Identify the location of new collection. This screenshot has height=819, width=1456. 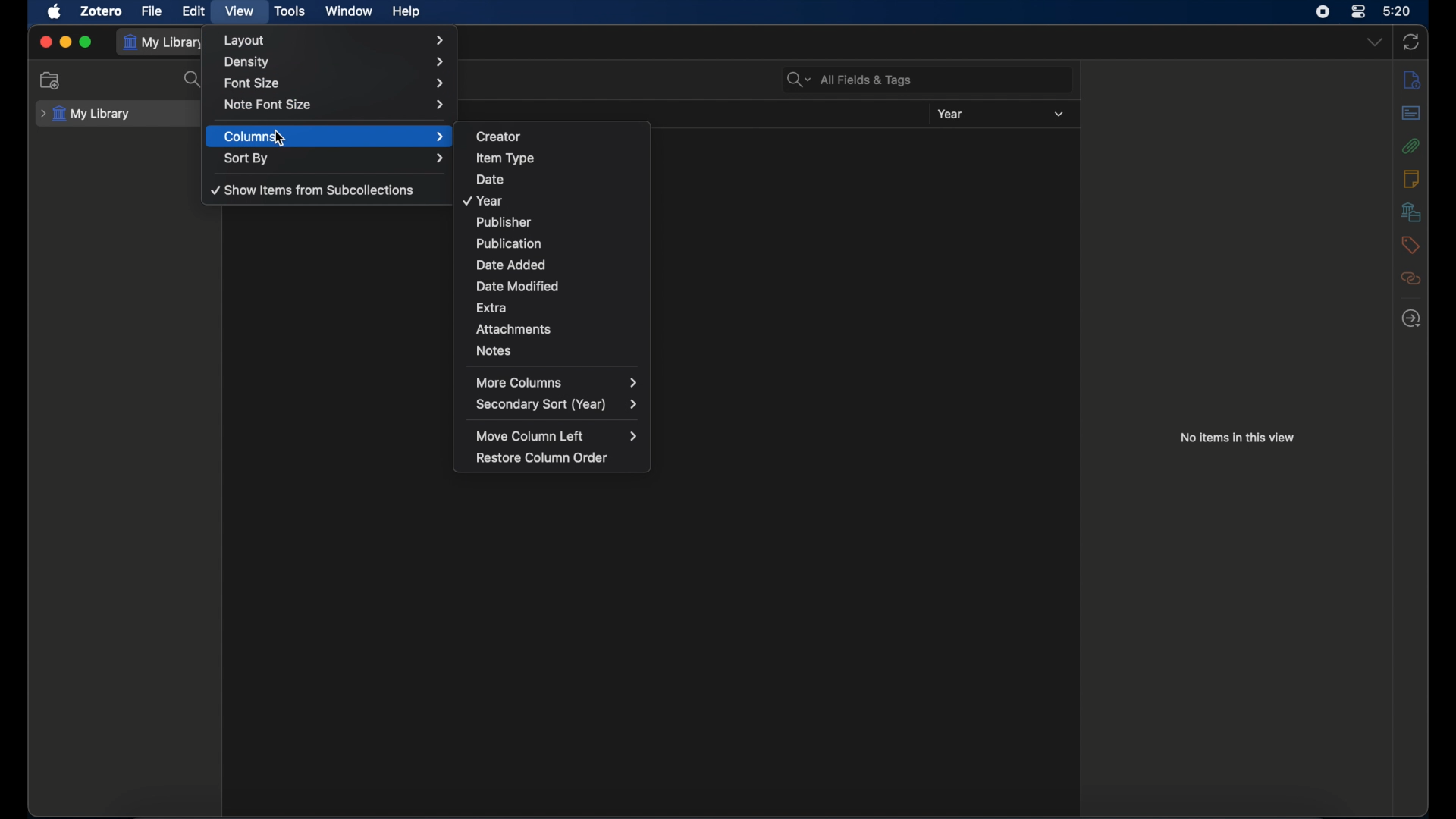
(51, 80).